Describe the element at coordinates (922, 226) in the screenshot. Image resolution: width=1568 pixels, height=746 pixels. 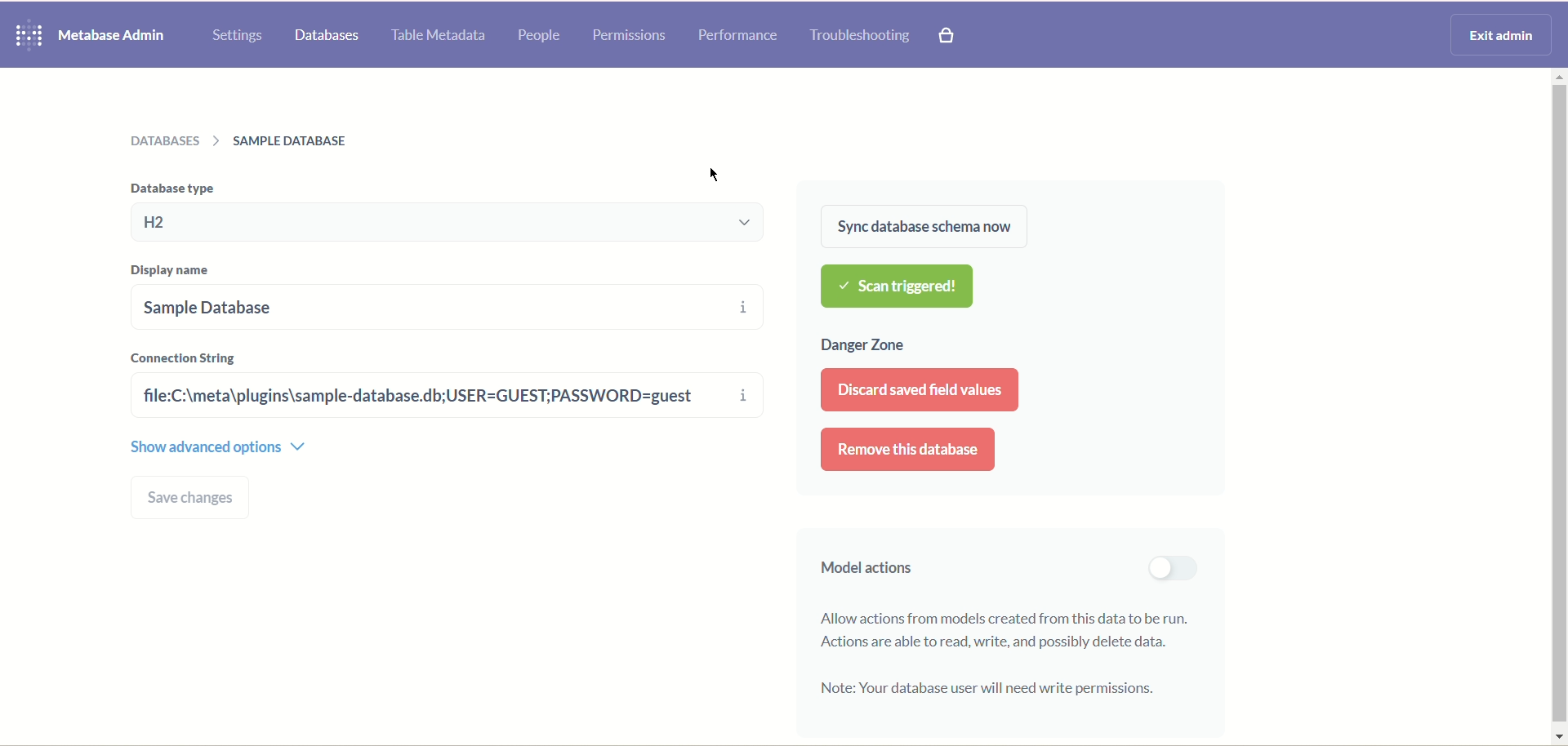
I see `sync databases schema now` at that location.